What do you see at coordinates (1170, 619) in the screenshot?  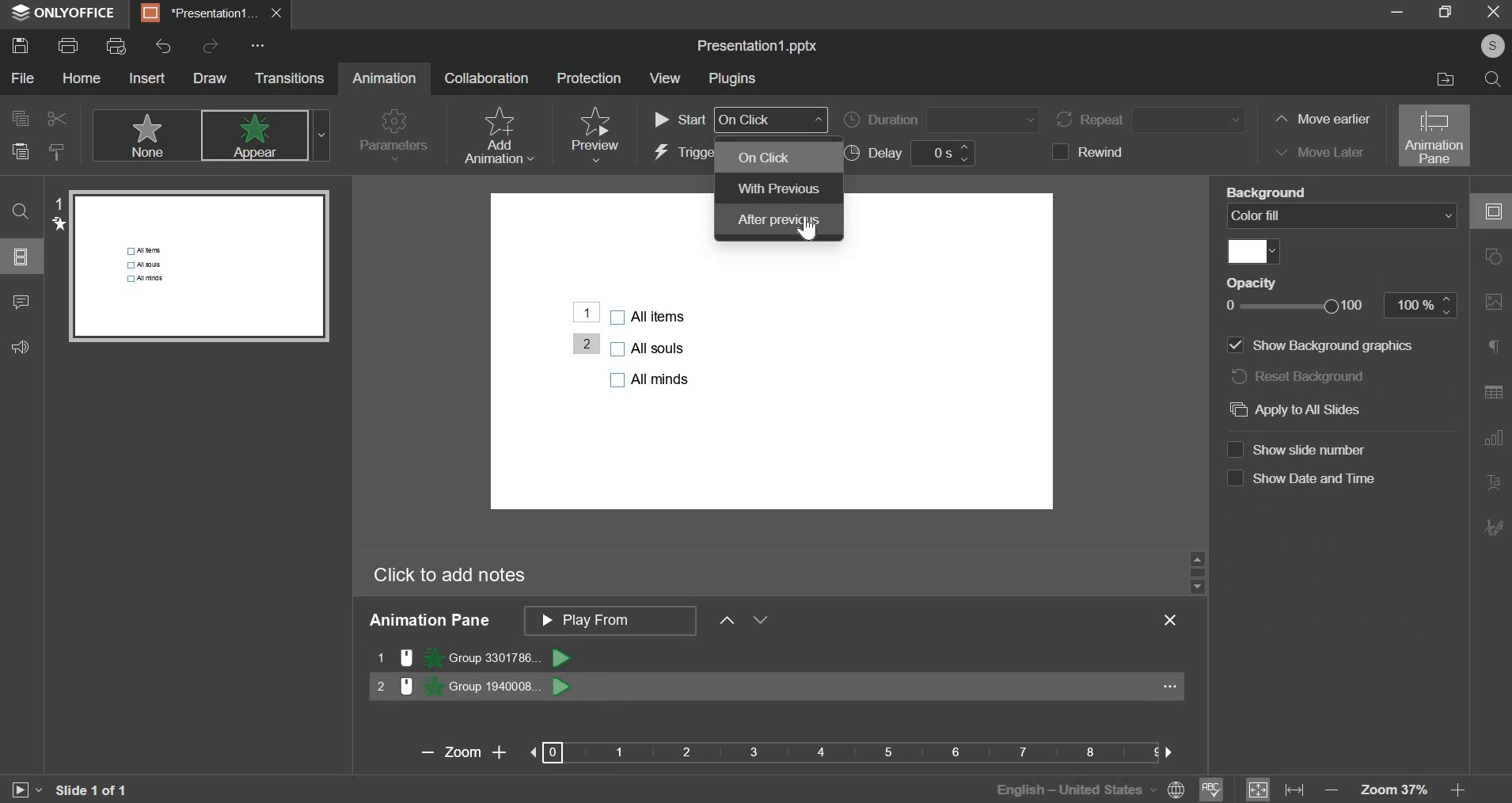 I see `exit` at bounding box center [1170, 619].